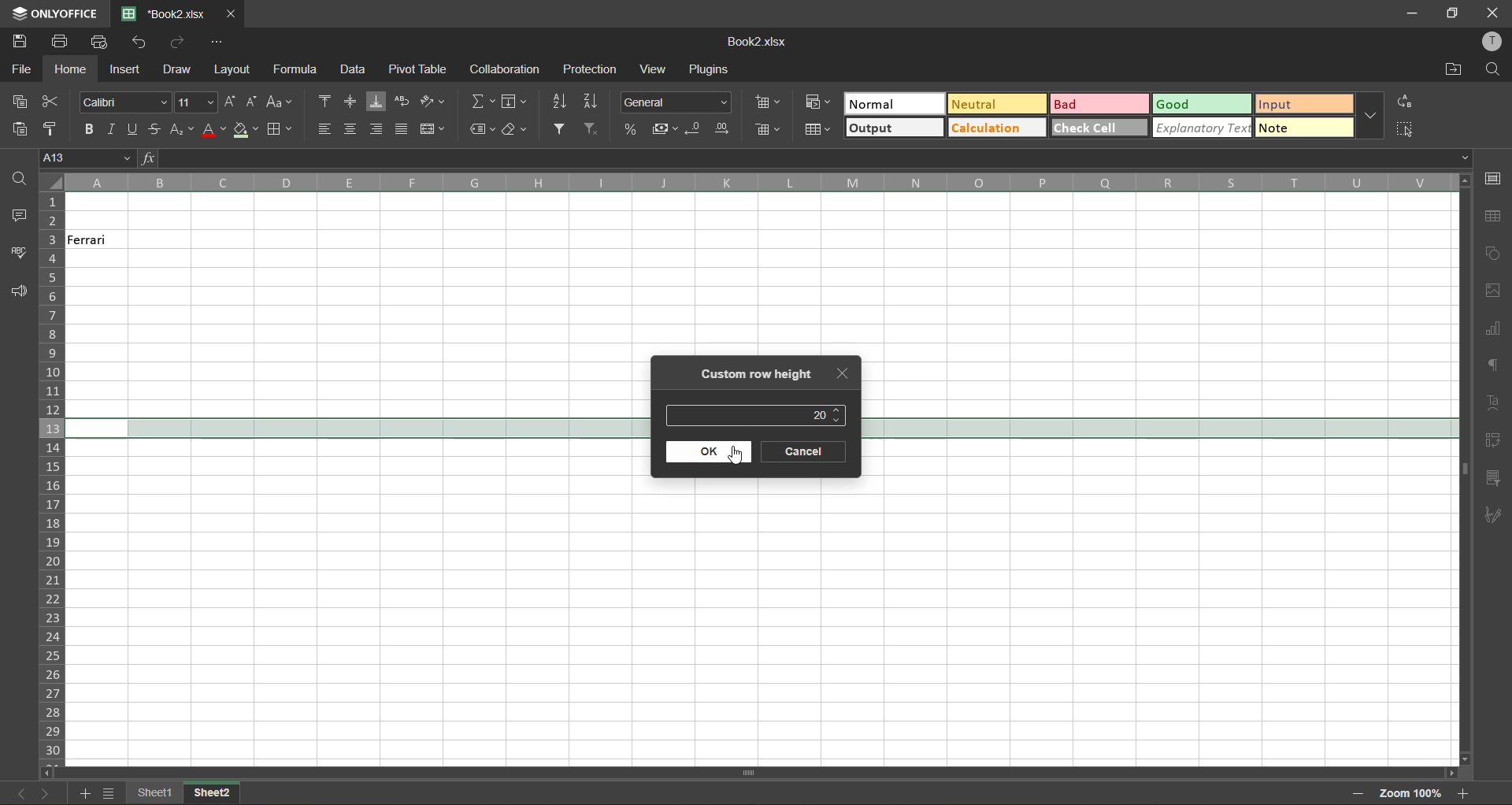 This screenshot has width=1512, height=805. I want to click on bad, so click(1101, 106).